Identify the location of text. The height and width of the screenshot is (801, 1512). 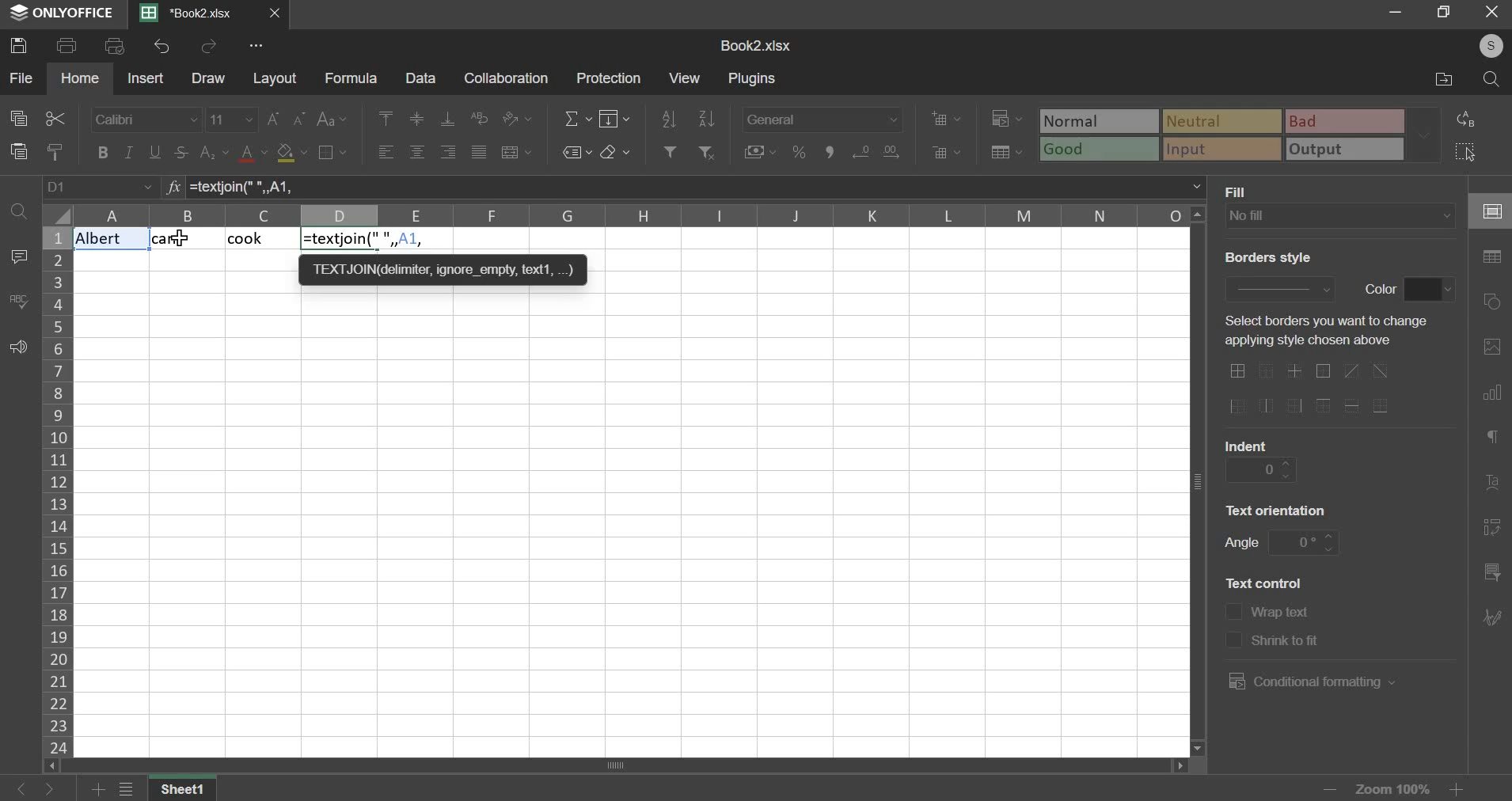
(1380, 287).